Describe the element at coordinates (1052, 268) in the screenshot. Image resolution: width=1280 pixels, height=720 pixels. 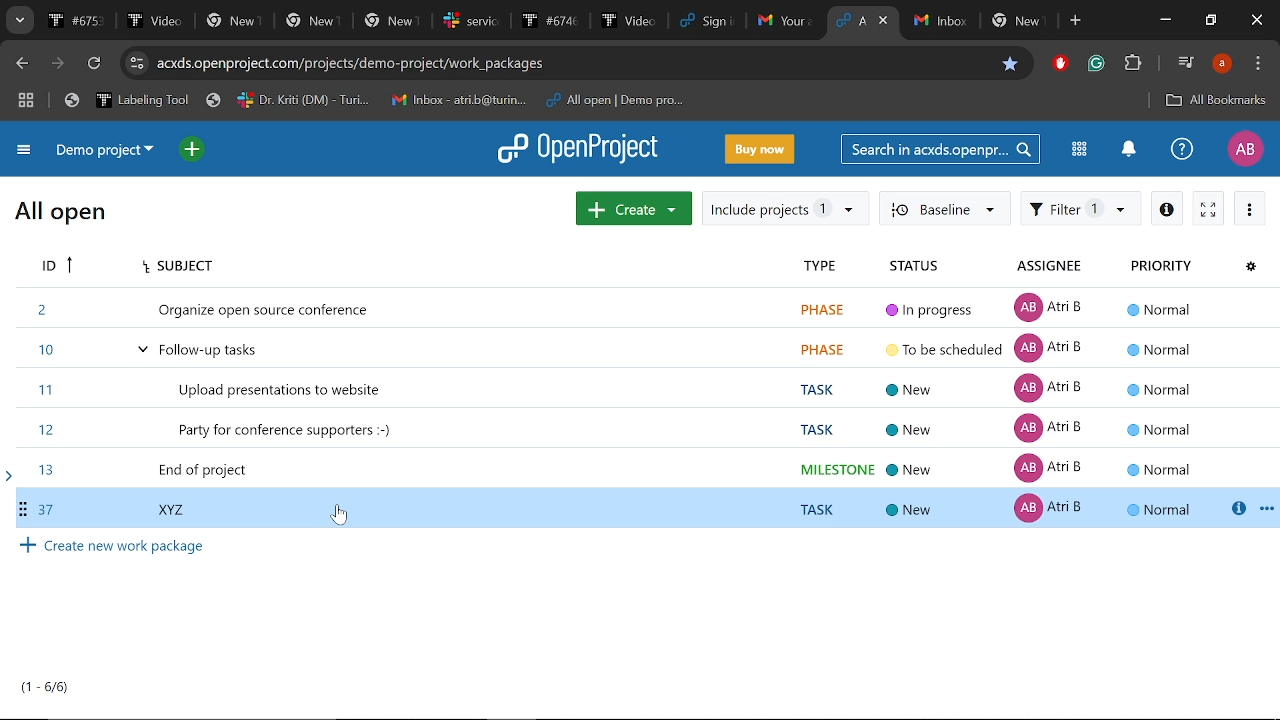
I see `Assignee` at that location.